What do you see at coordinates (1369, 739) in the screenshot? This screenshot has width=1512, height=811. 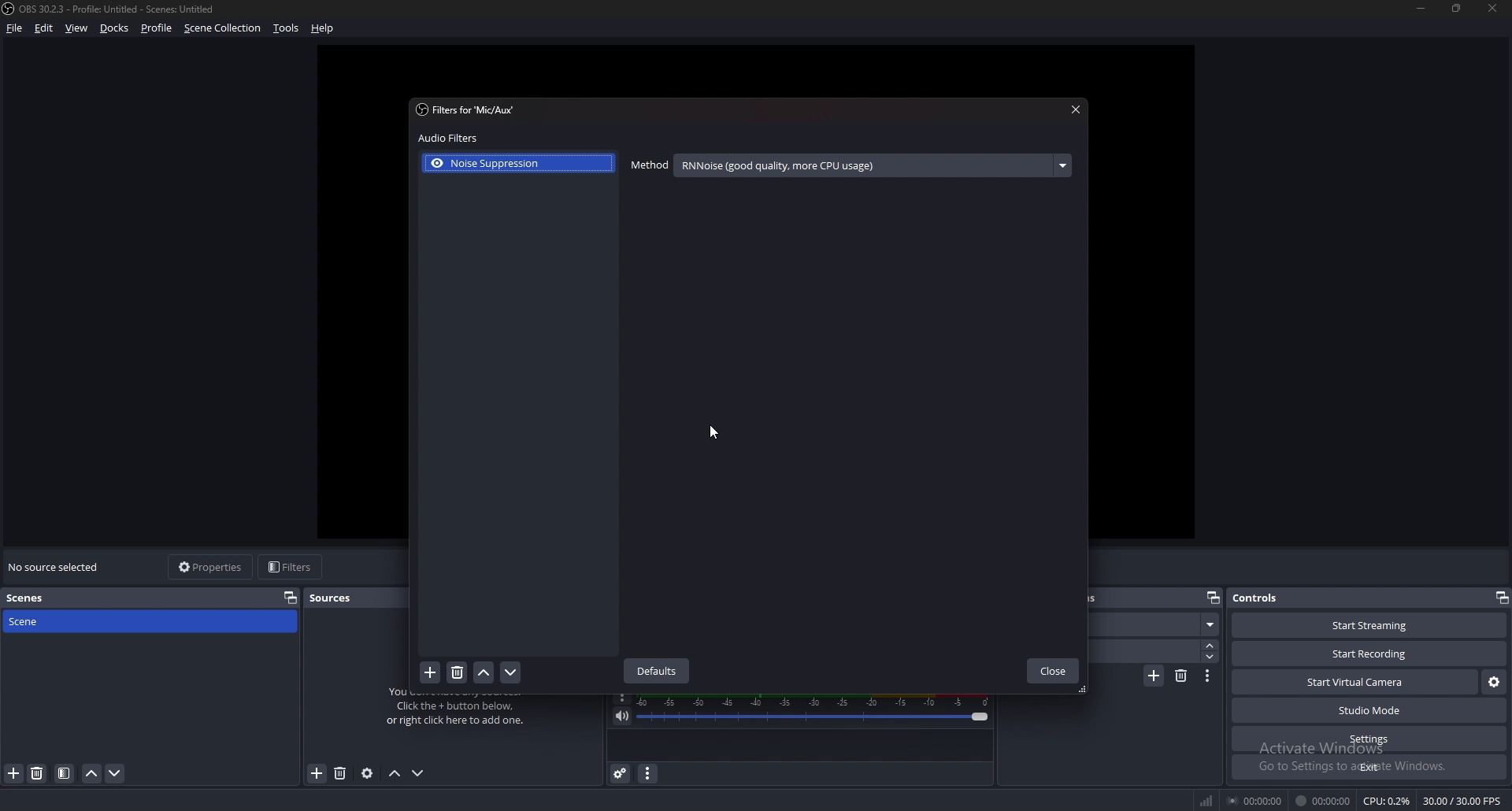 I see `settings` at bounding box center [1369, 739].